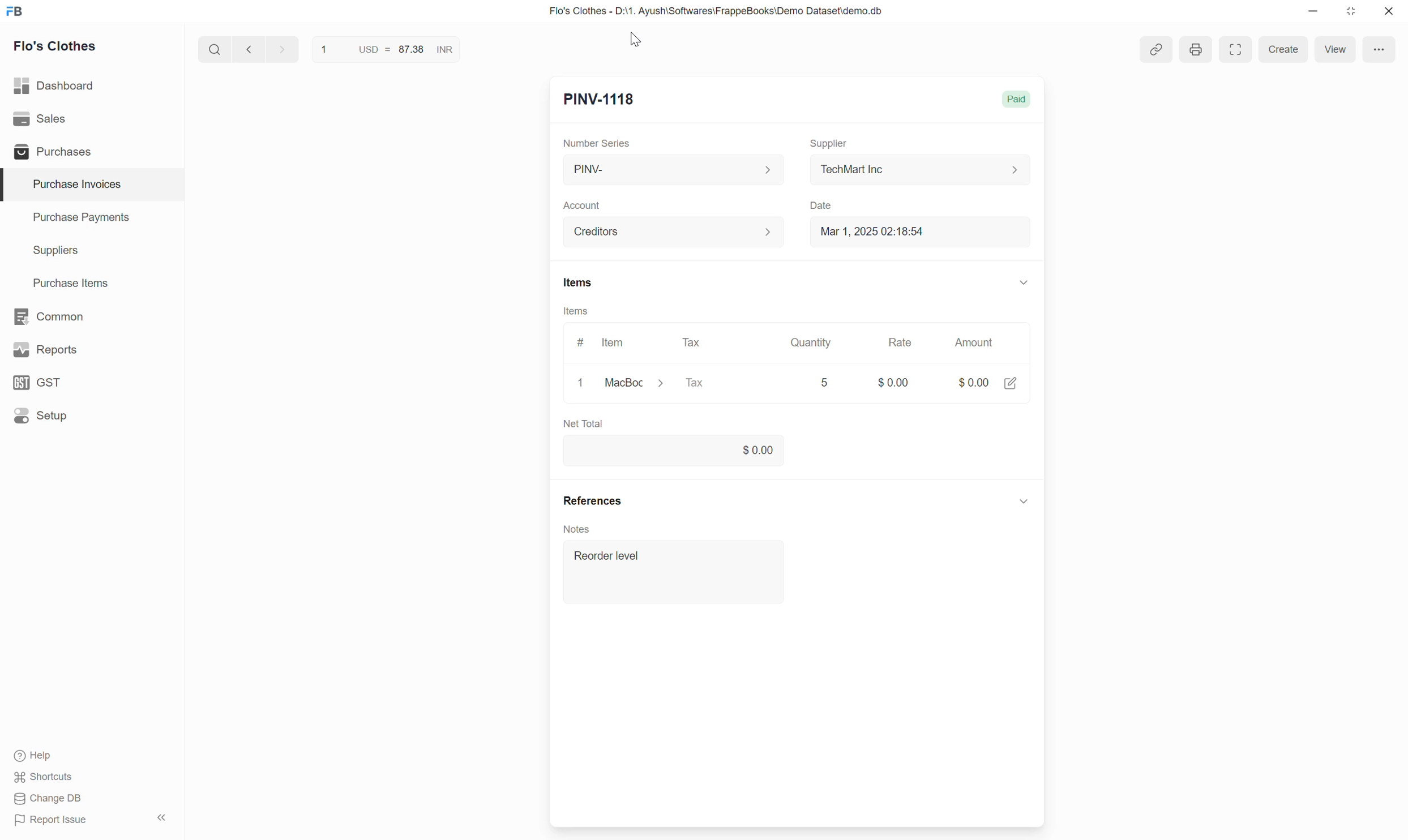 This screenshot has height=840, width=1408. Describe the element at coordinates (673, 170) in the screenshot. I see `PINV-` at that location.